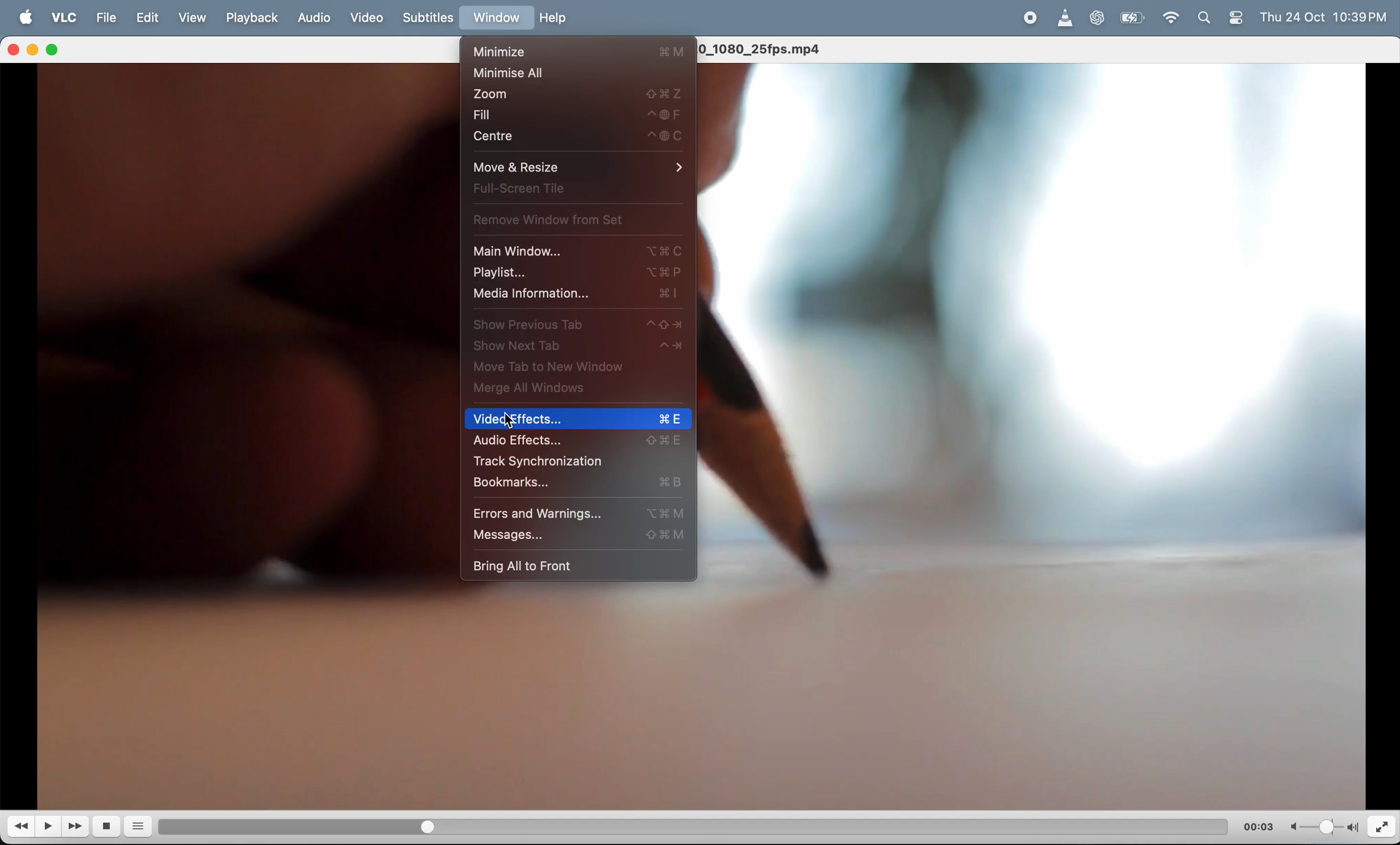  What do you see at coordinates (1173, 20) in the screenshot?
I see `wifi` at bounding box center [1173, 20].